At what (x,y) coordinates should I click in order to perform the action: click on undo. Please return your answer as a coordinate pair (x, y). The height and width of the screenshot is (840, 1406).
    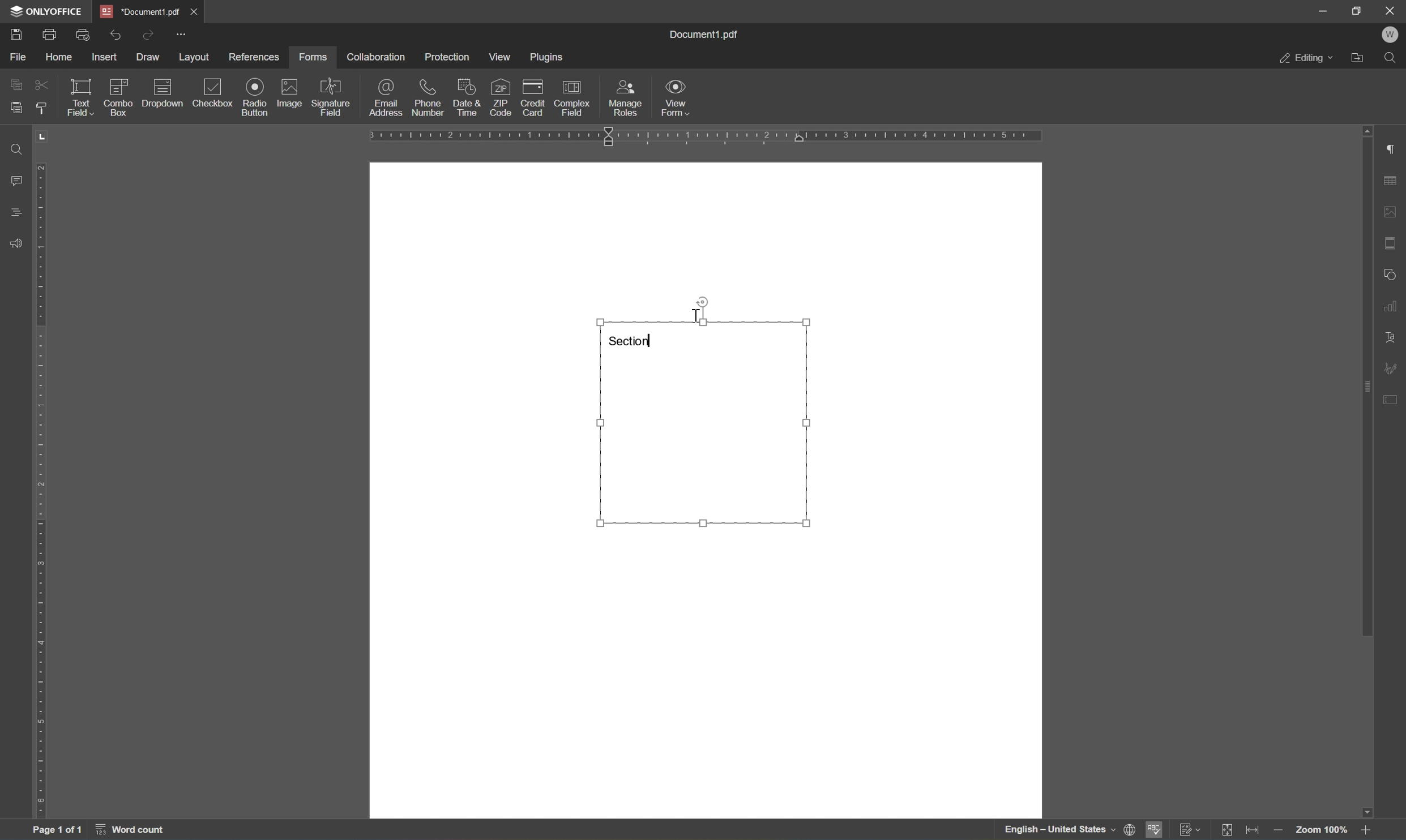
    Looking at the image, I should click on (117, 33).